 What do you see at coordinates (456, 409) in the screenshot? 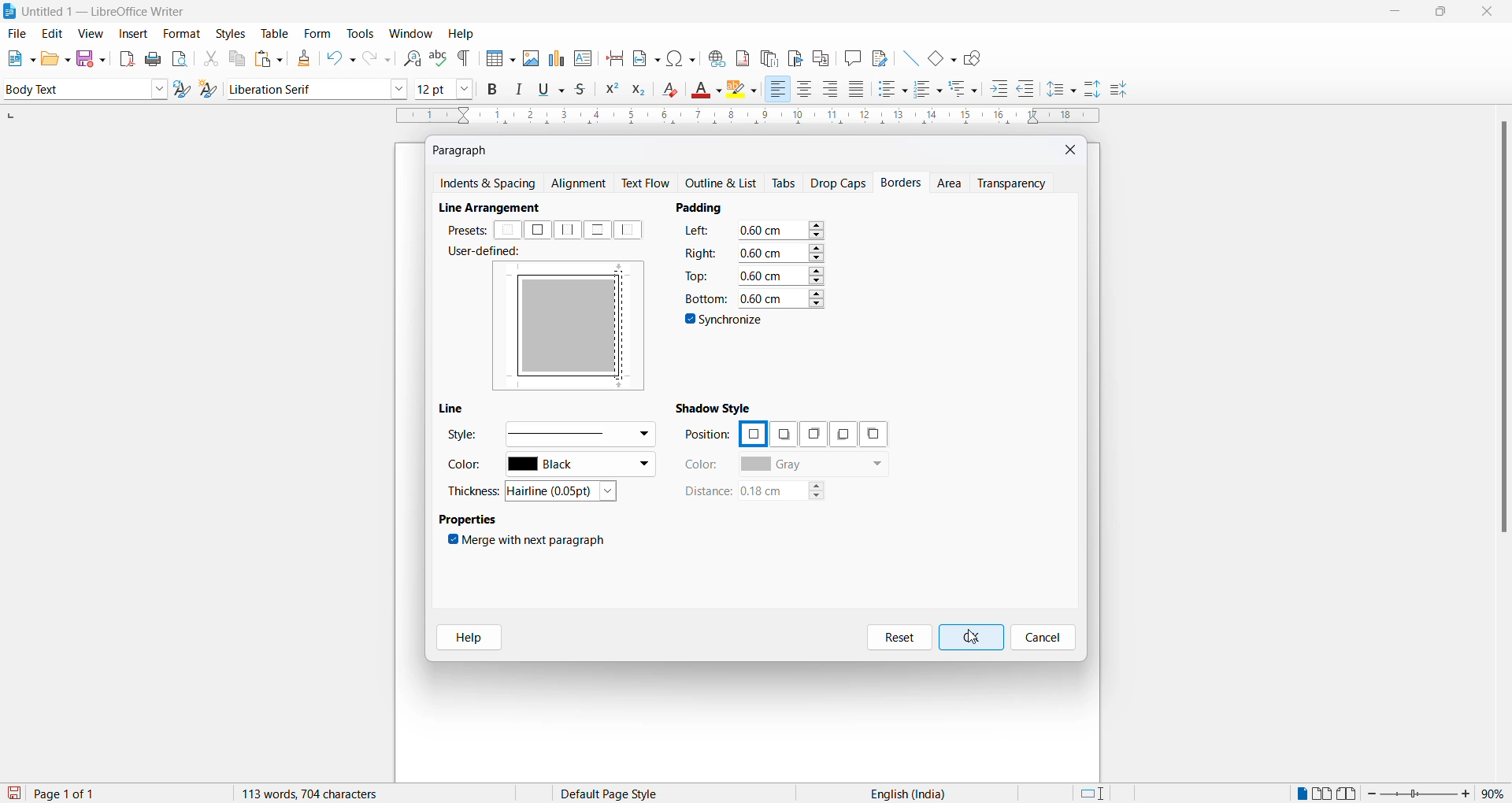
I see `line` at bounding box center [456, 409].